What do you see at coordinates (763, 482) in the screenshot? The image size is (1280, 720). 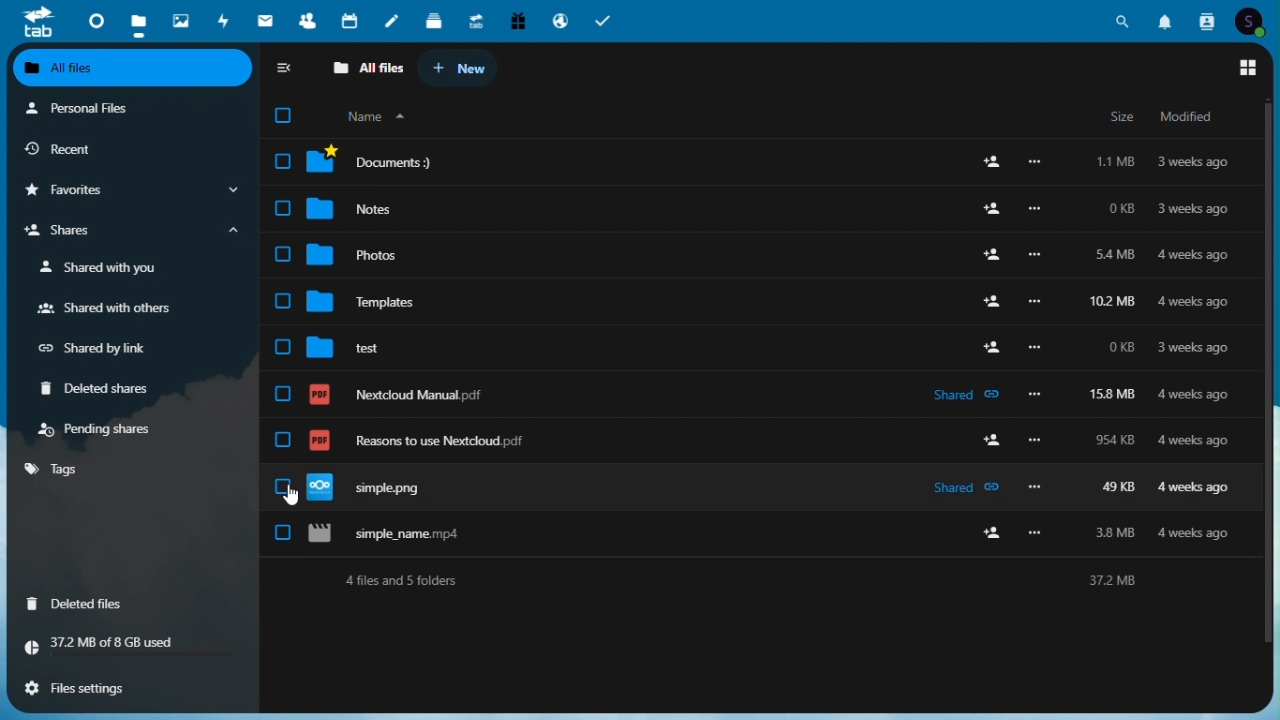 I see `sample.png 49 KB 4 weeks ago` at bounding box center [763, 482].